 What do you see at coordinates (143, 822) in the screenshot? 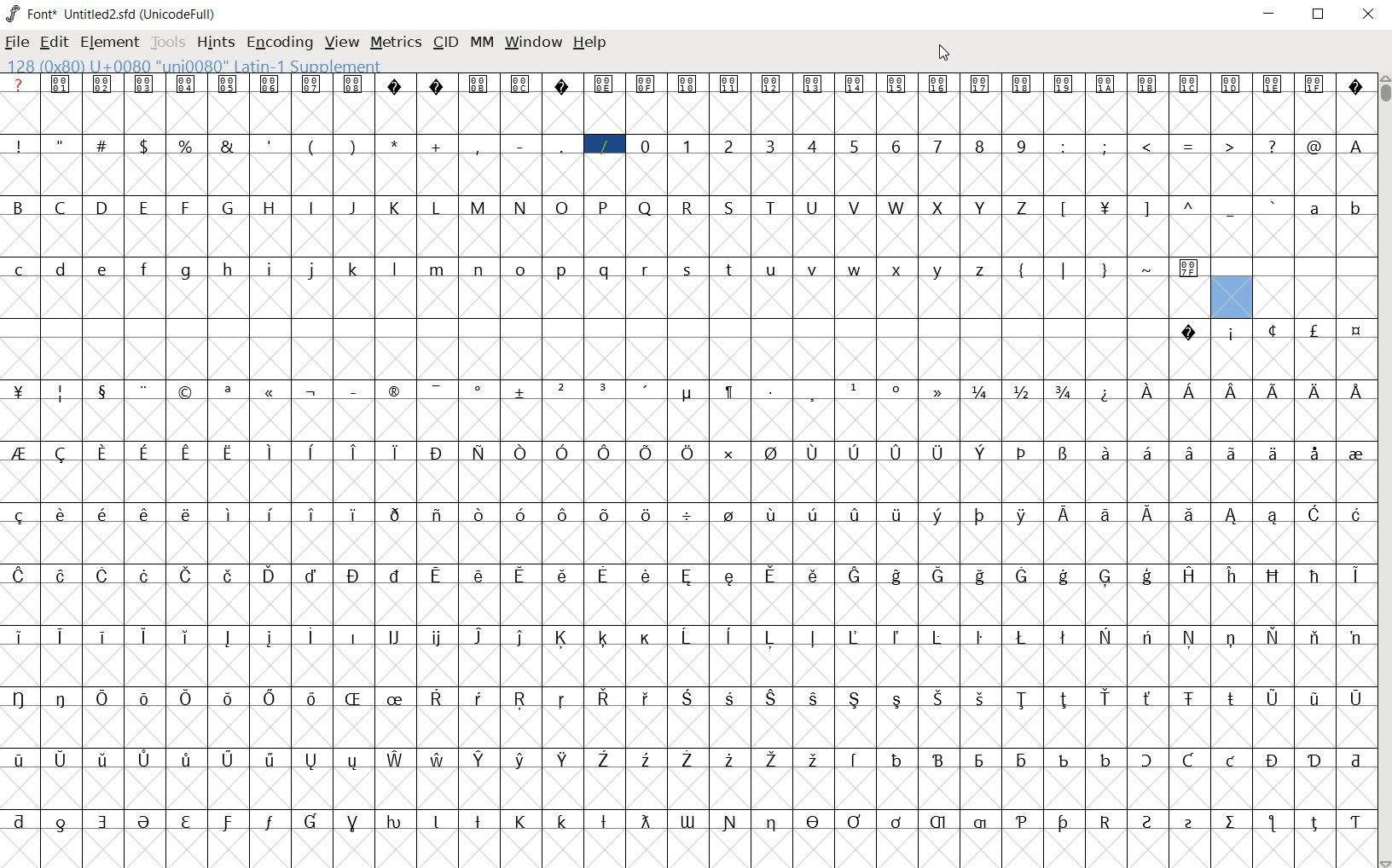
I see `glyph` at bounding box center [143, 822].